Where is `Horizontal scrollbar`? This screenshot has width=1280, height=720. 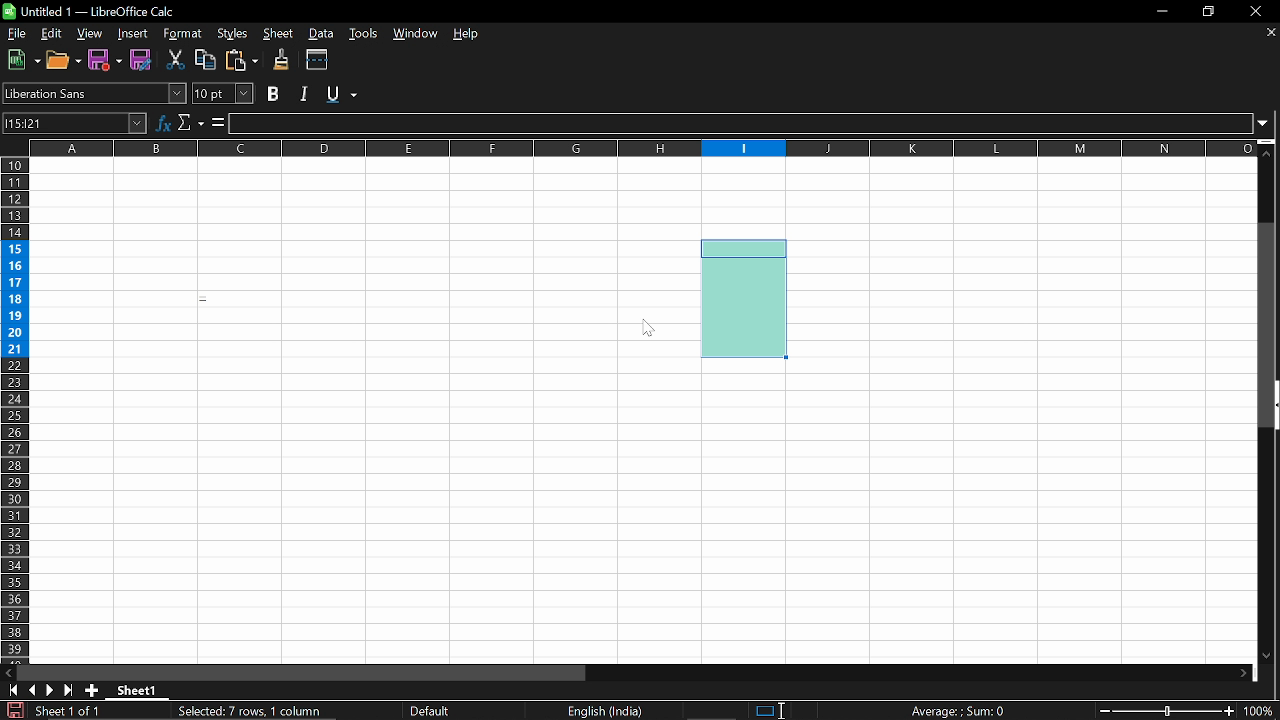 Horizontal scrollbar is located at coordinates (306, 671).